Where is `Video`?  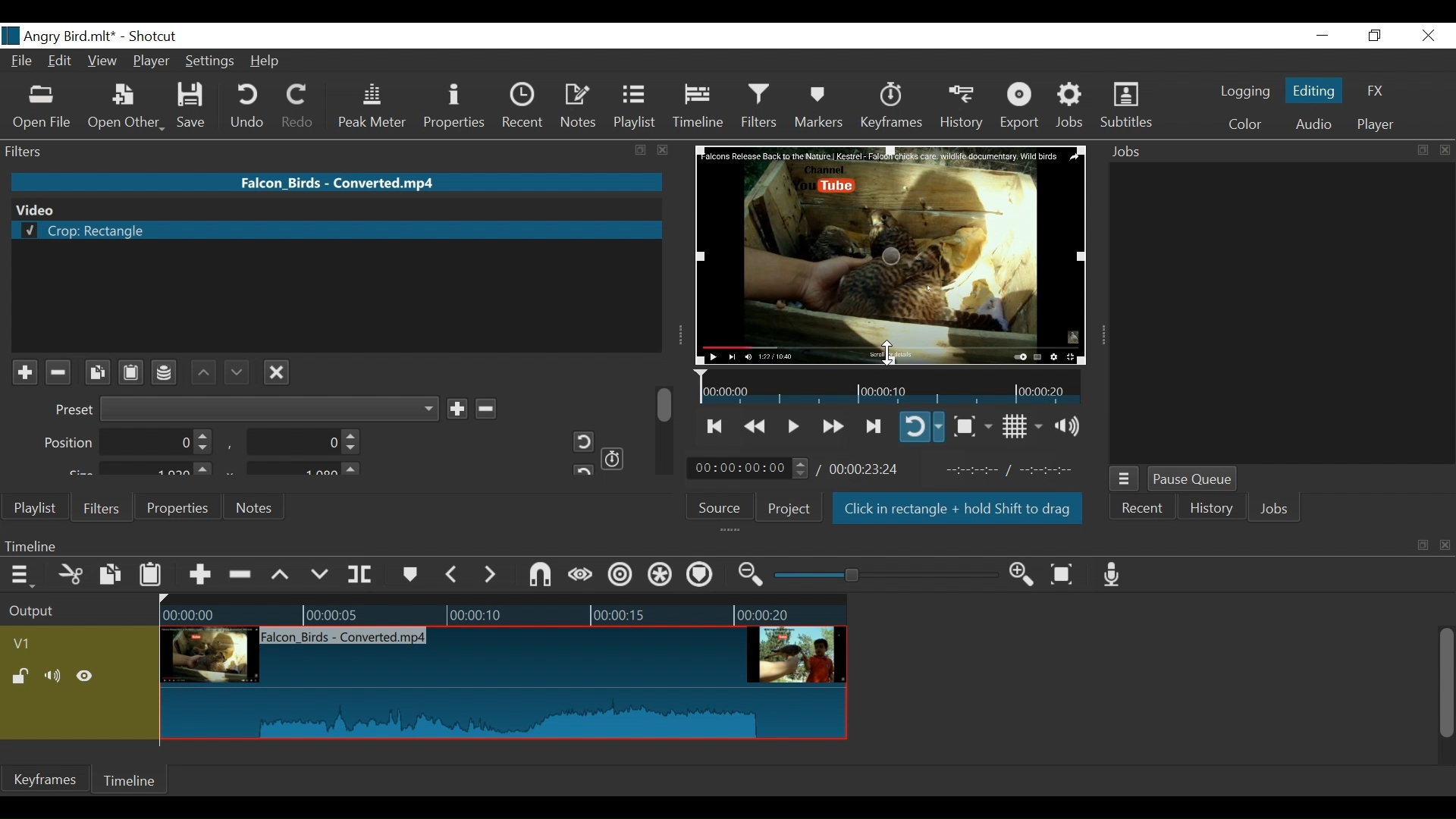 Video is located at coordinates (334, 209).